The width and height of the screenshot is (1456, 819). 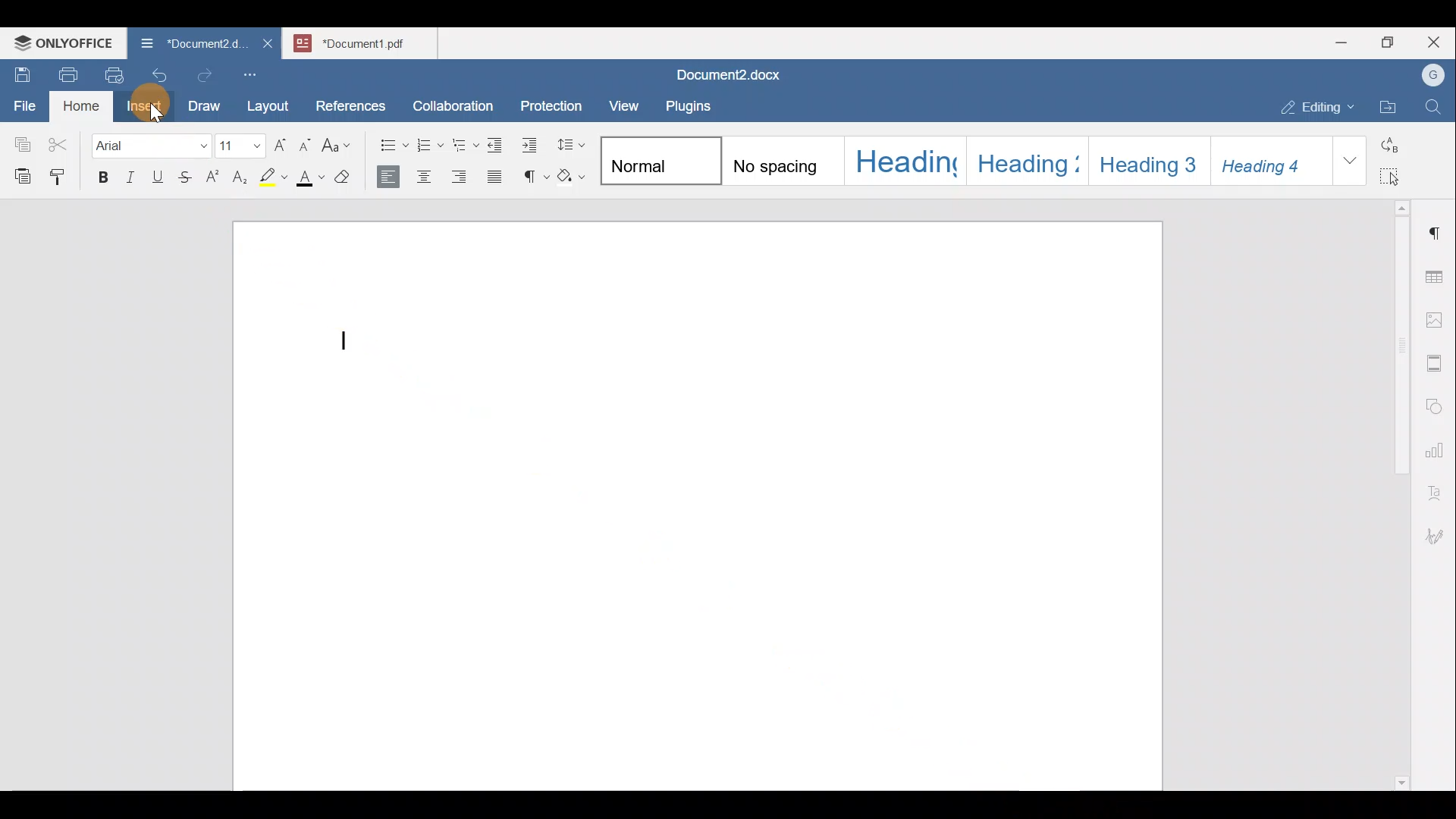 I want to click on Style 3, so click(x=905, y=162).